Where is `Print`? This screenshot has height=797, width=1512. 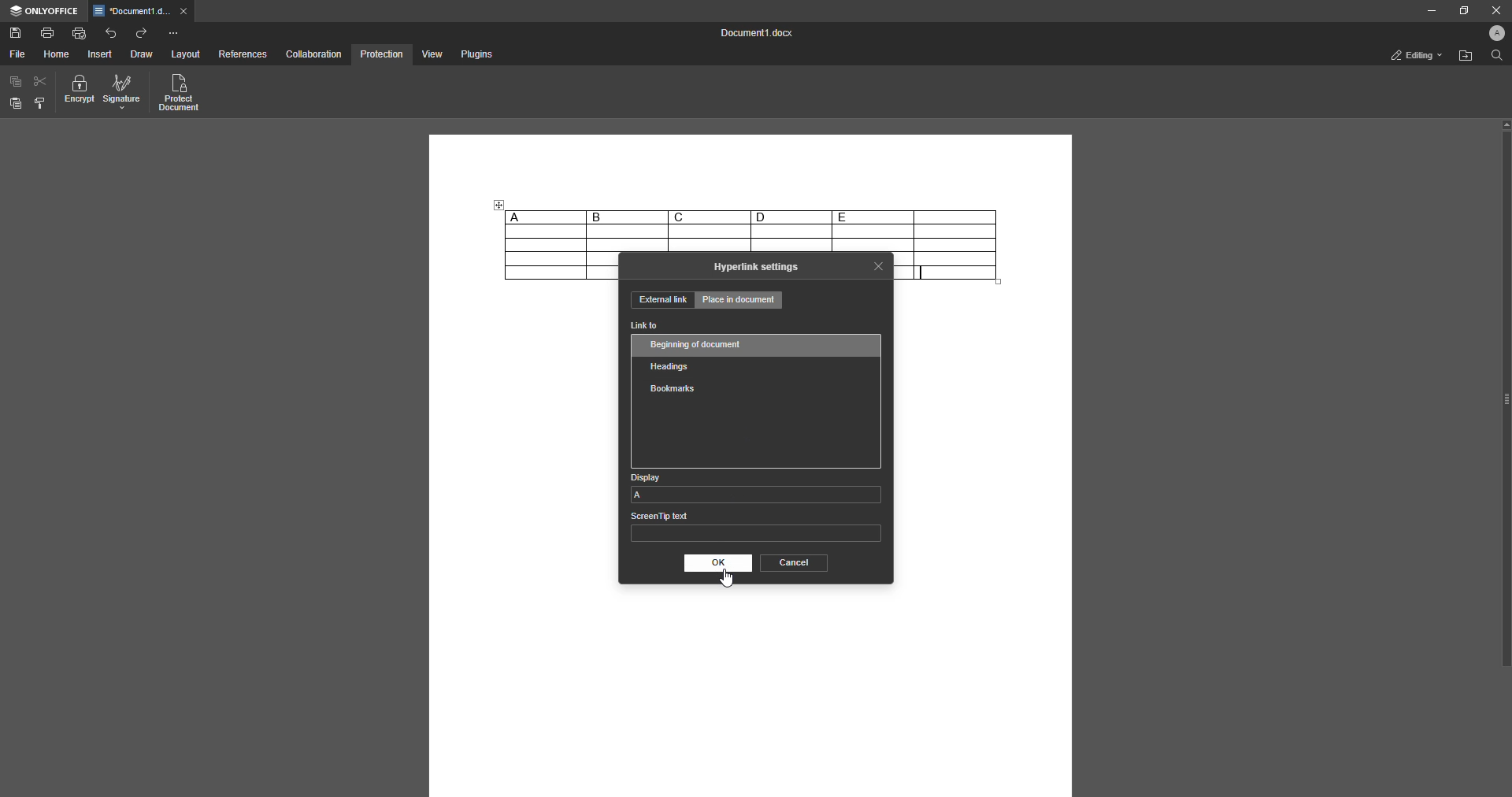
Print is located at coordinates (48, 32).